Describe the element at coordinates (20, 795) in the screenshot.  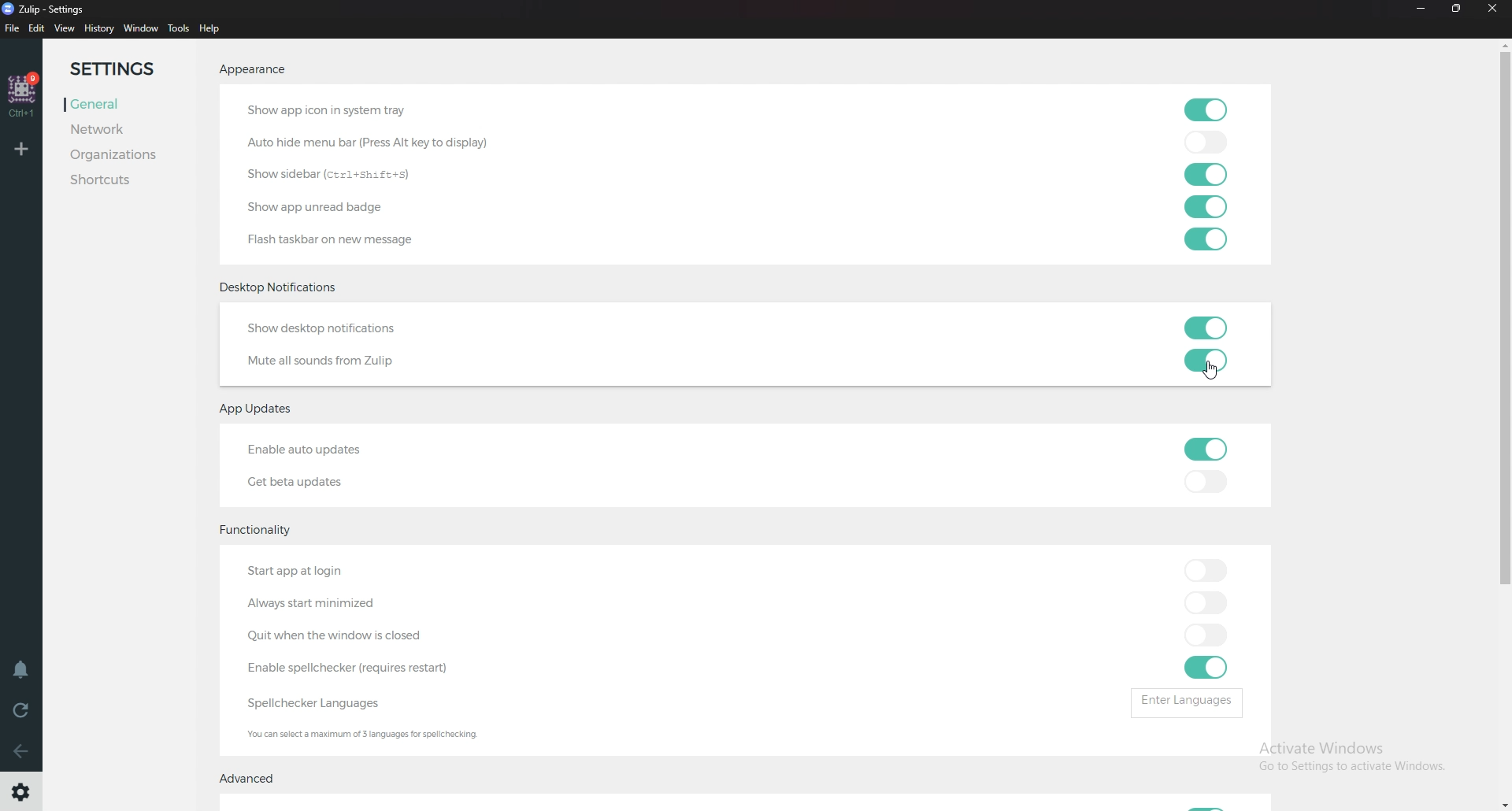
I see `Settings` at that location.